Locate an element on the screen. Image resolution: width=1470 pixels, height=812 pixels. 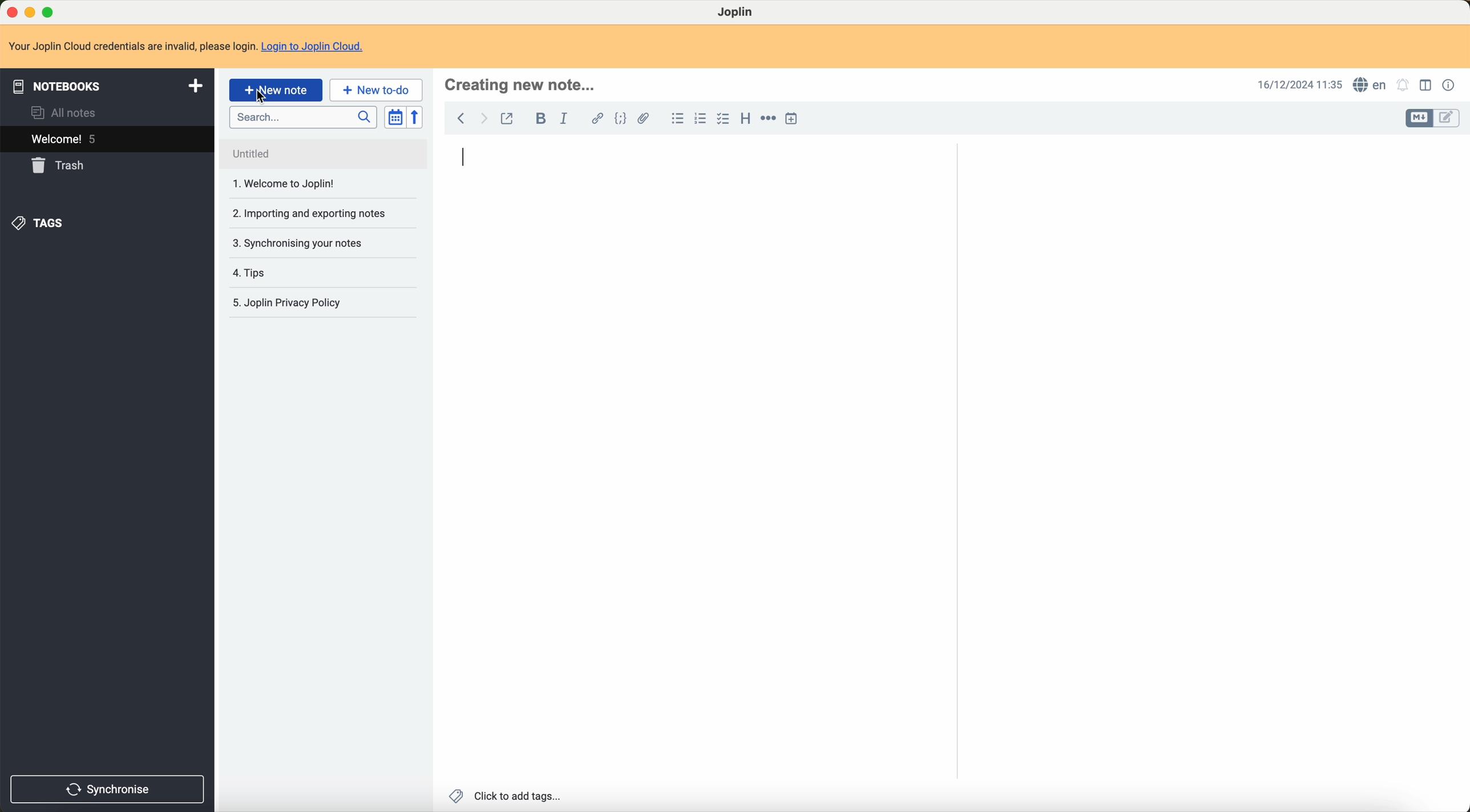
welcome is located at coordinates (66, 140).